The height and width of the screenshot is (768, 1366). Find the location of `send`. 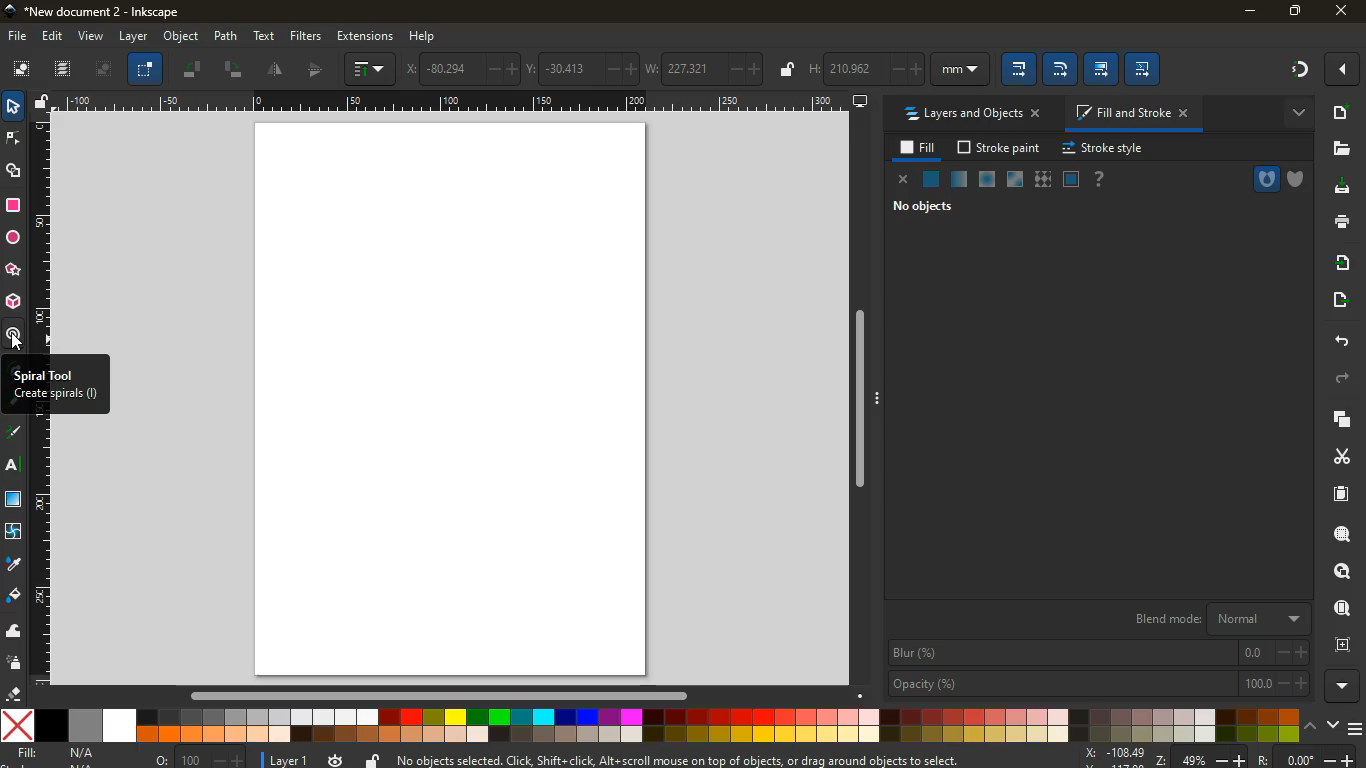

send is located at coordinates (1340, 299).